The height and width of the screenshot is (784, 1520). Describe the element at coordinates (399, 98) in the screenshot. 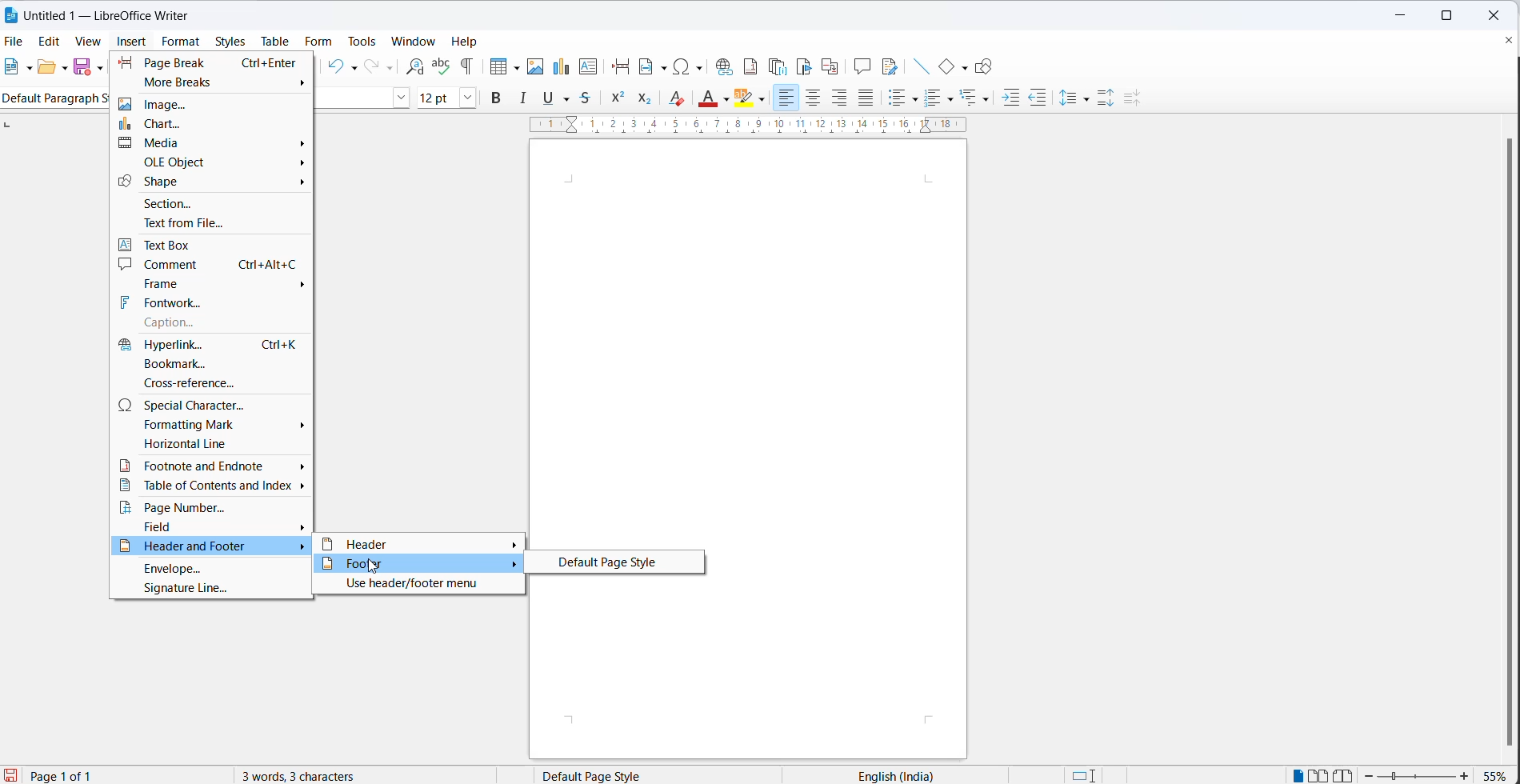

I see `font name options` at that location.